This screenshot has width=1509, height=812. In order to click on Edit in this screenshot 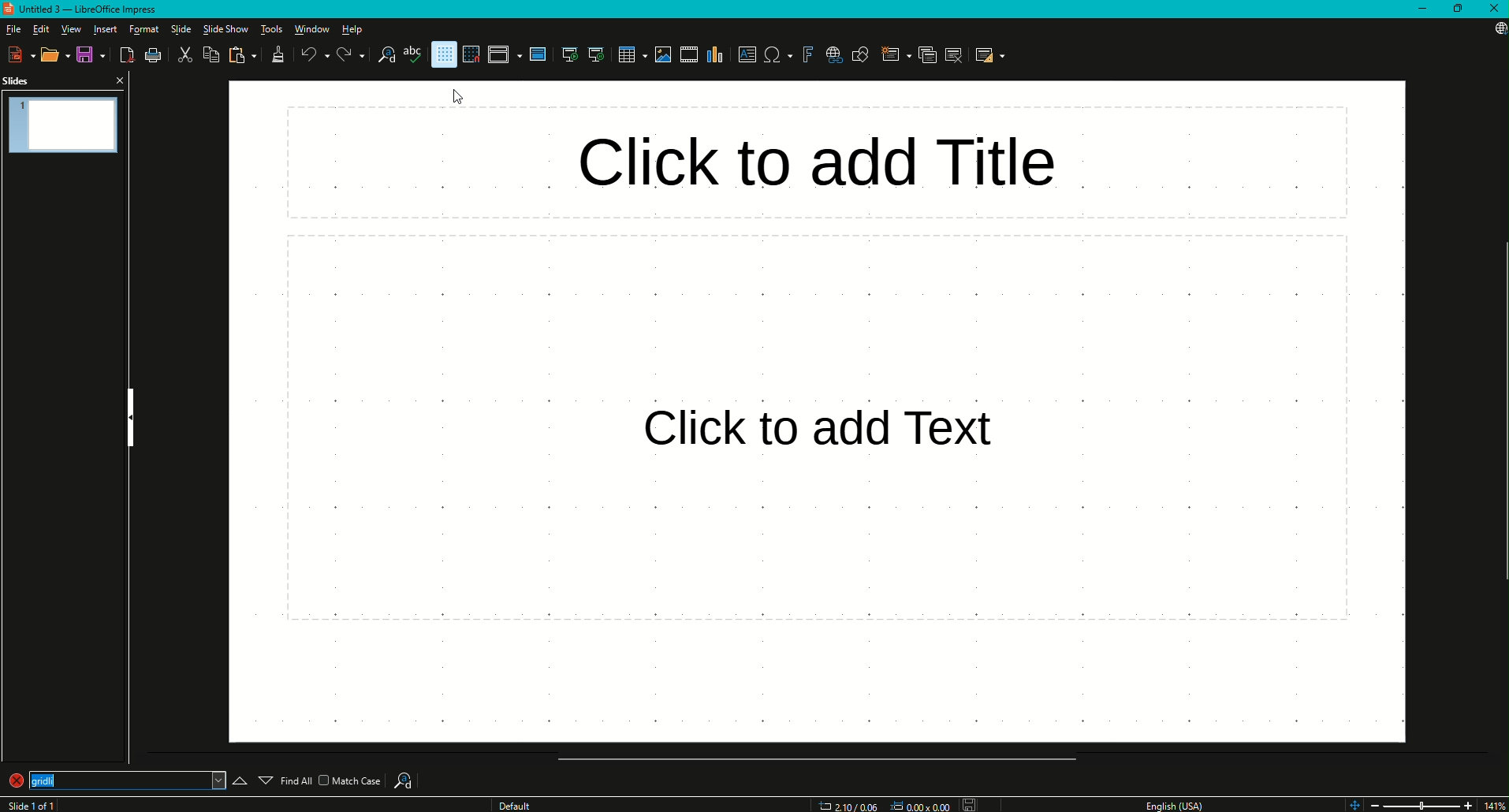, I will do `click(41, 28)`.